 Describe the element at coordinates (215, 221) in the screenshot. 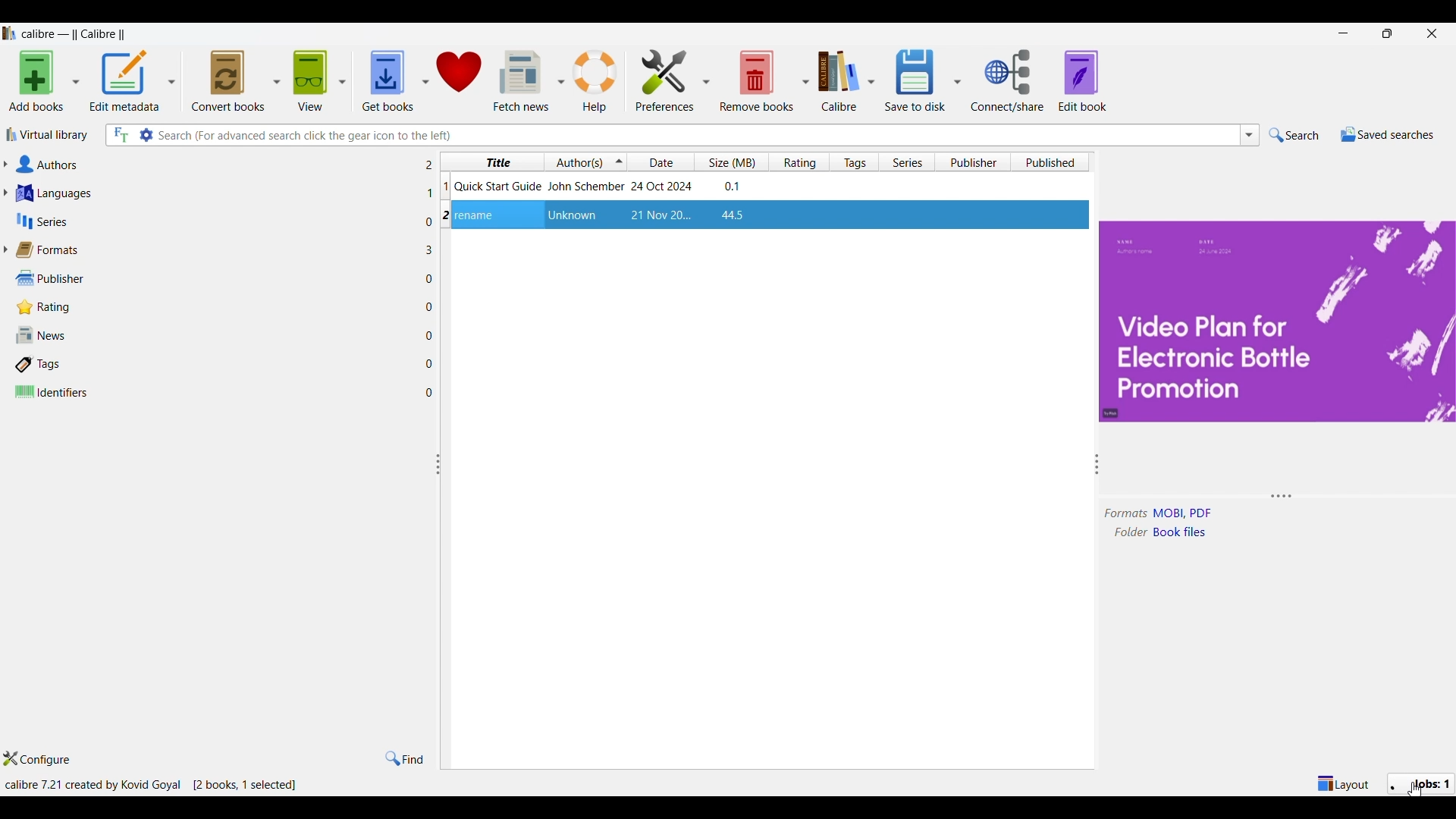

I see `Series` at that location.